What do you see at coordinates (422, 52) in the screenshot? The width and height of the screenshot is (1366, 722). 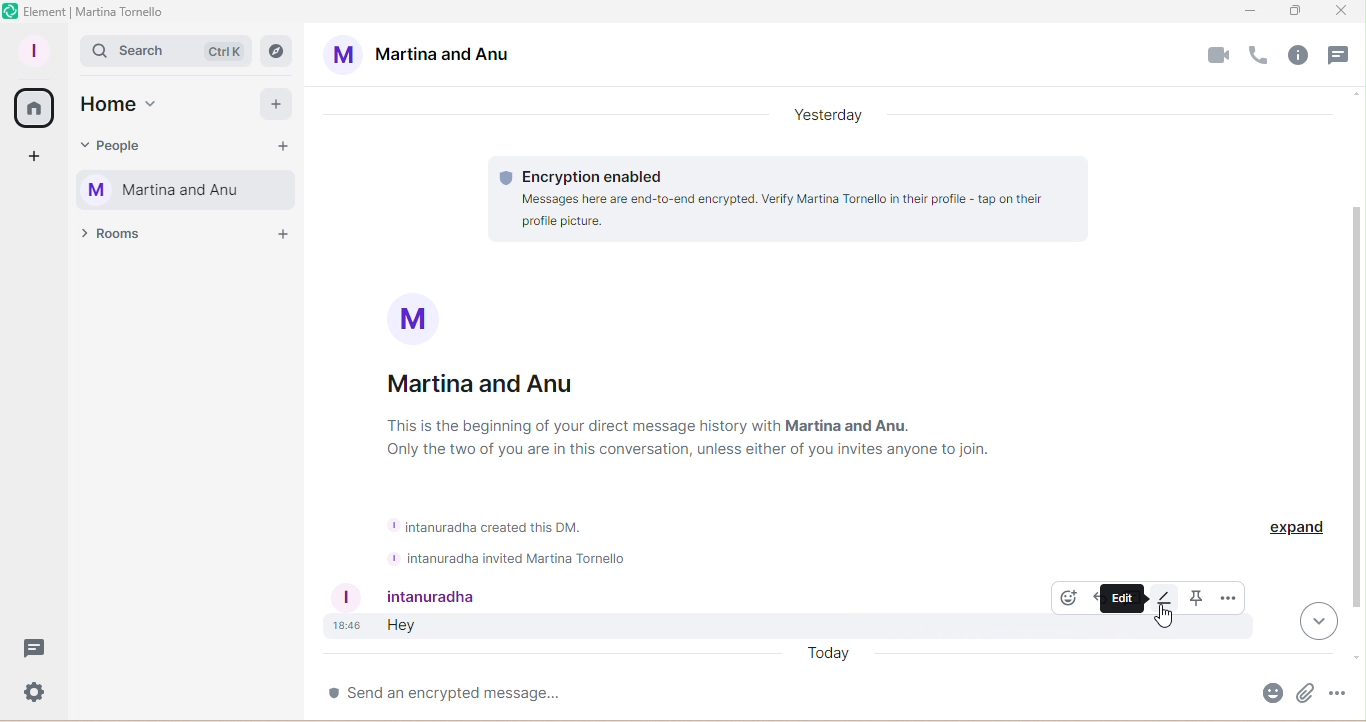 I see `Martina and Anu` at bounding box center [422, 52].